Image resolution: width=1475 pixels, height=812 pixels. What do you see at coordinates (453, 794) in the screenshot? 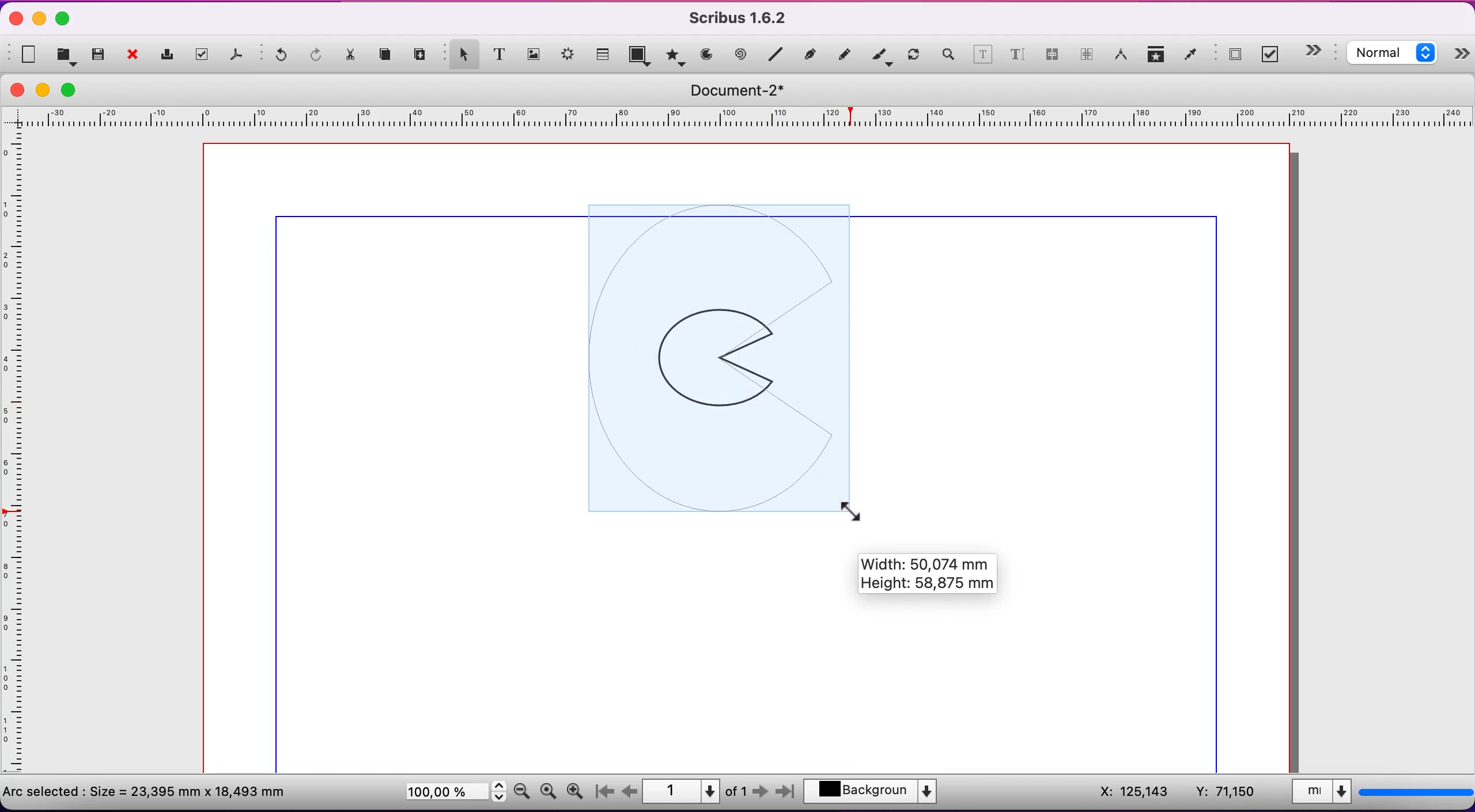
I see `zoom percentage` at bounding box center [453, 794].